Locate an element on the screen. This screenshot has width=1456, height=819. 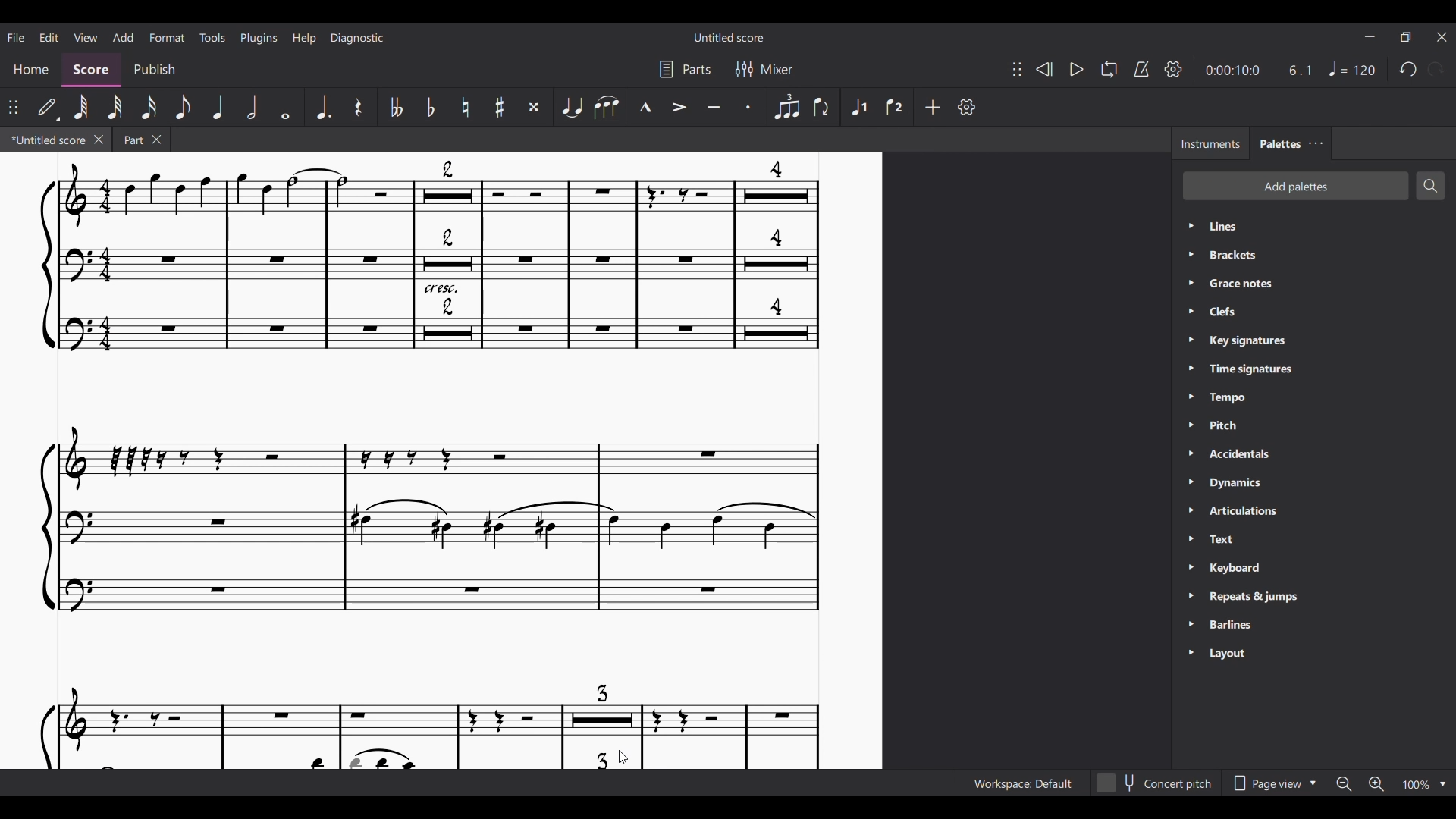
Current score changed due to creation of Multimeasure rests is located at coordinates (444, 462).